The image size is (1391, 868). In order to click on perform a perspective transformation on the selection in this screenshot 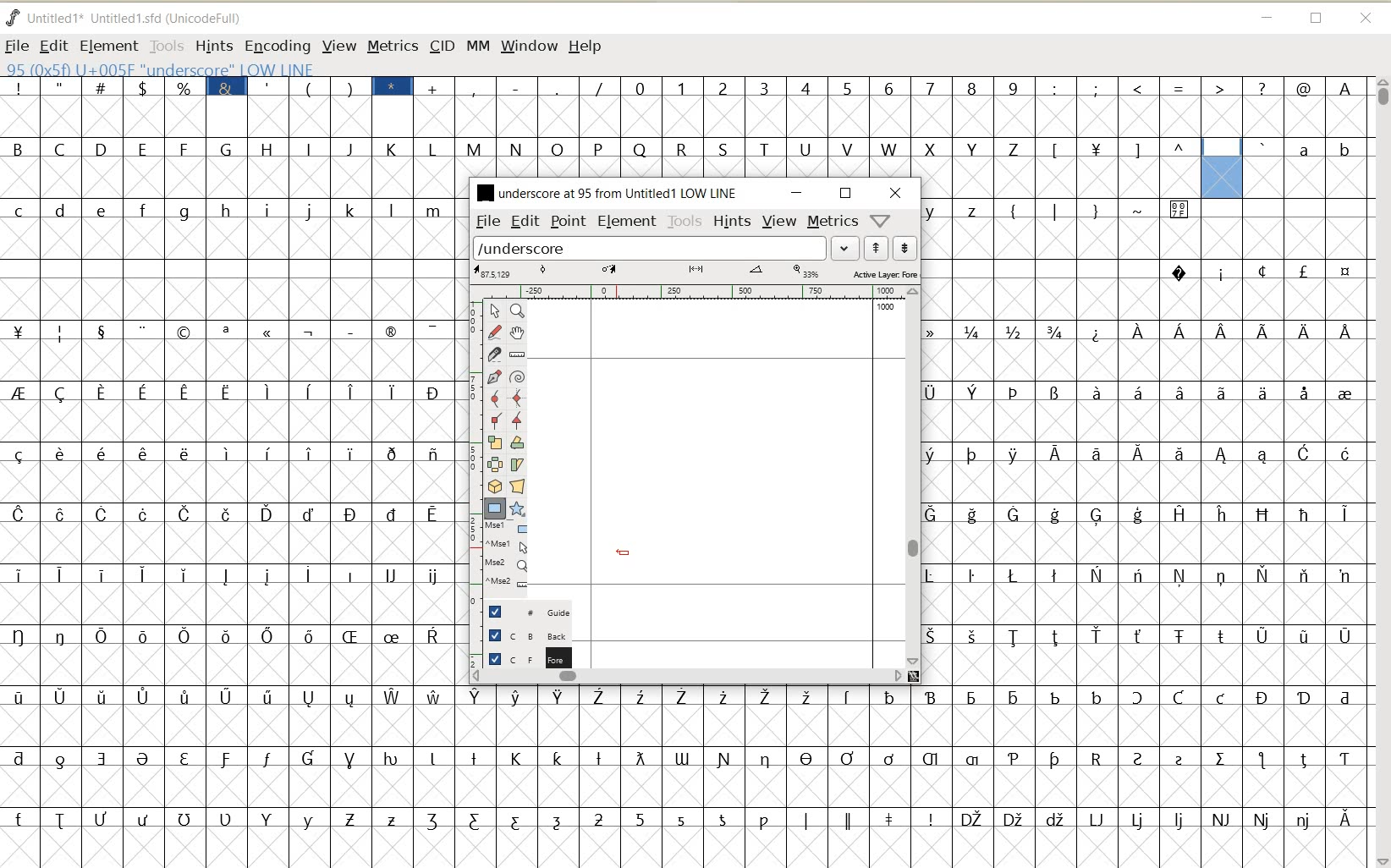, I will do `click(517, 486)`.